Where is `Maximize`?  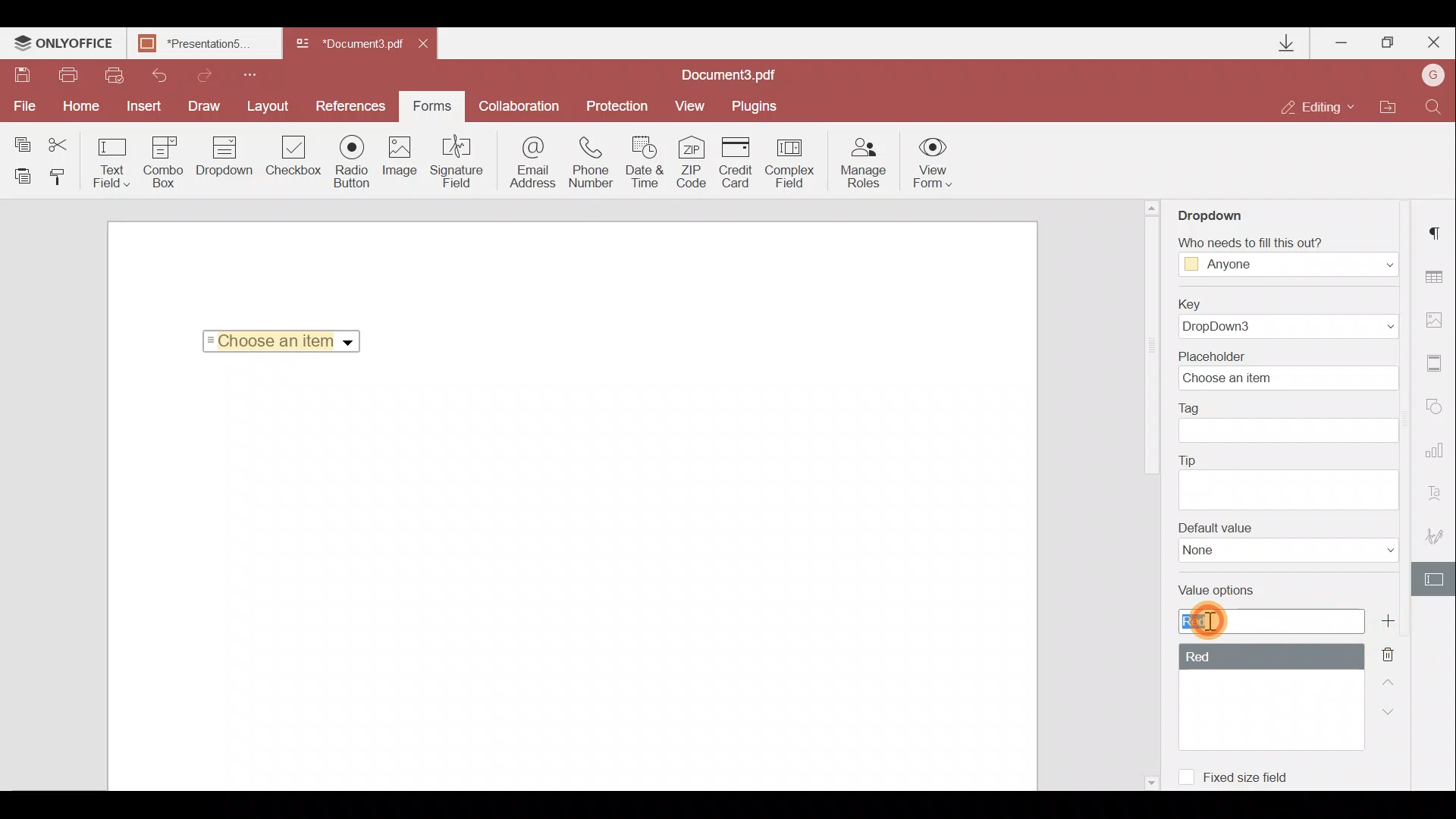 Maximize is located at coordinates (1387, 45).